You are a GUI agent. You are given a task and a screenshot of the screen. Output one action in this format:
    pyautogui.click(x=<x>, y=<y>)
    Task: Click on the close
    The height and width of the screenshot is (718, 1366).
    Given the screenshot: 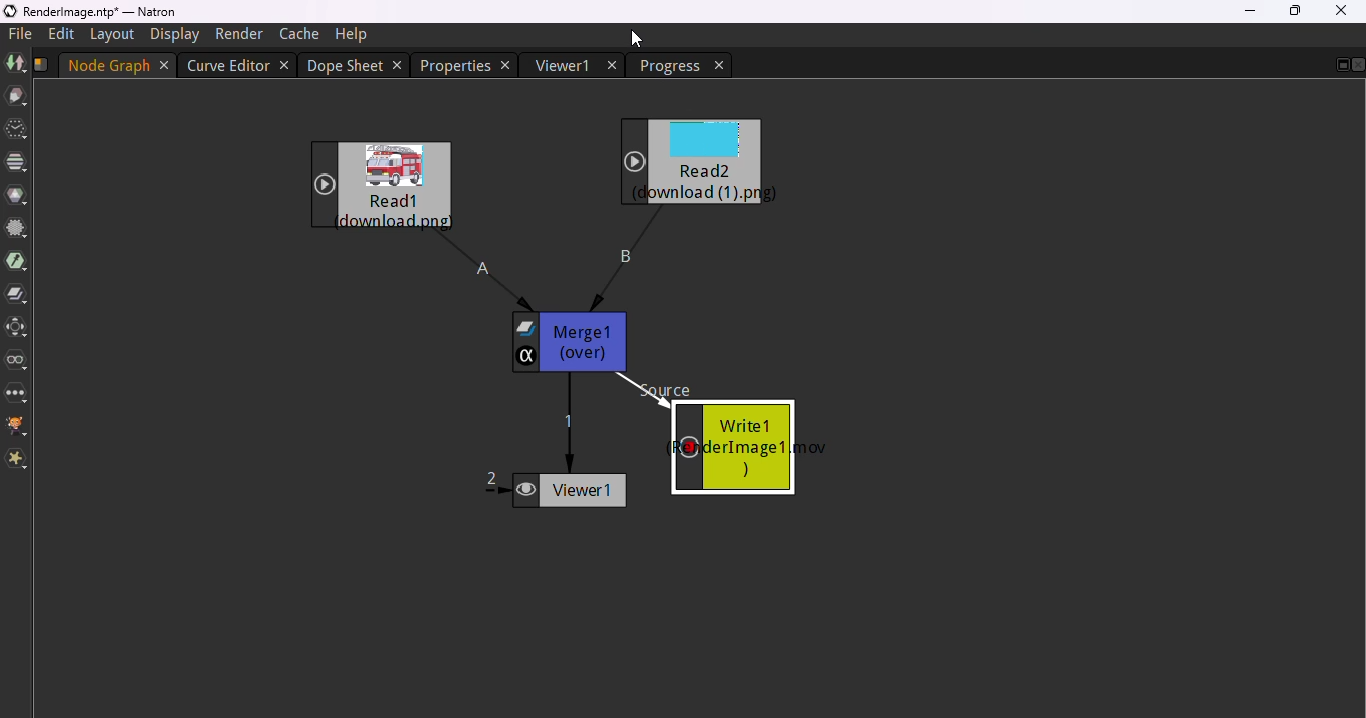 What is the action you would take?
    pyautogui.click(x=1341, y=10)
    